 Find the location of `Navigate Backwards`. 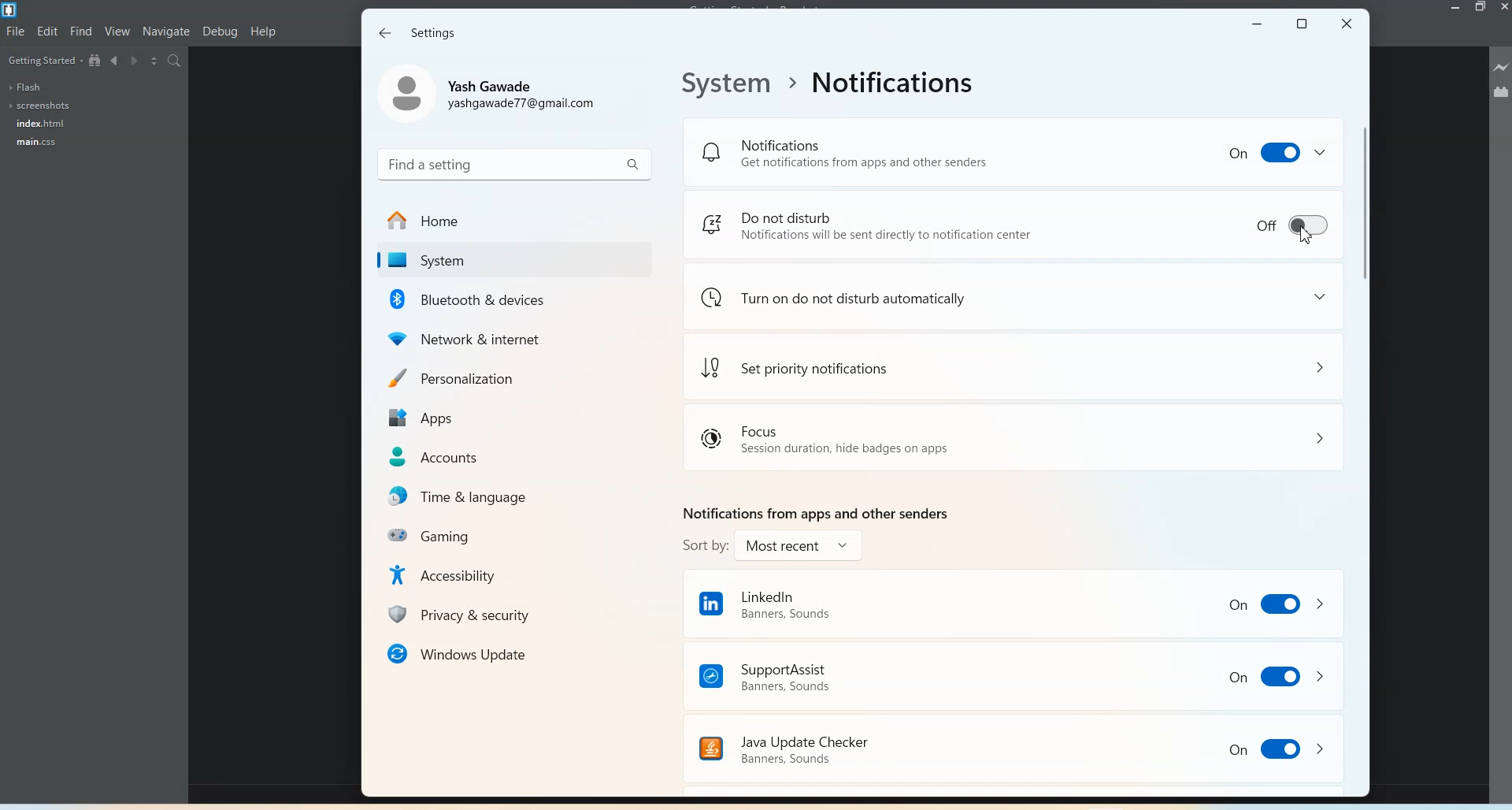

Navigate Backwards is located at coordinates (116, 61).